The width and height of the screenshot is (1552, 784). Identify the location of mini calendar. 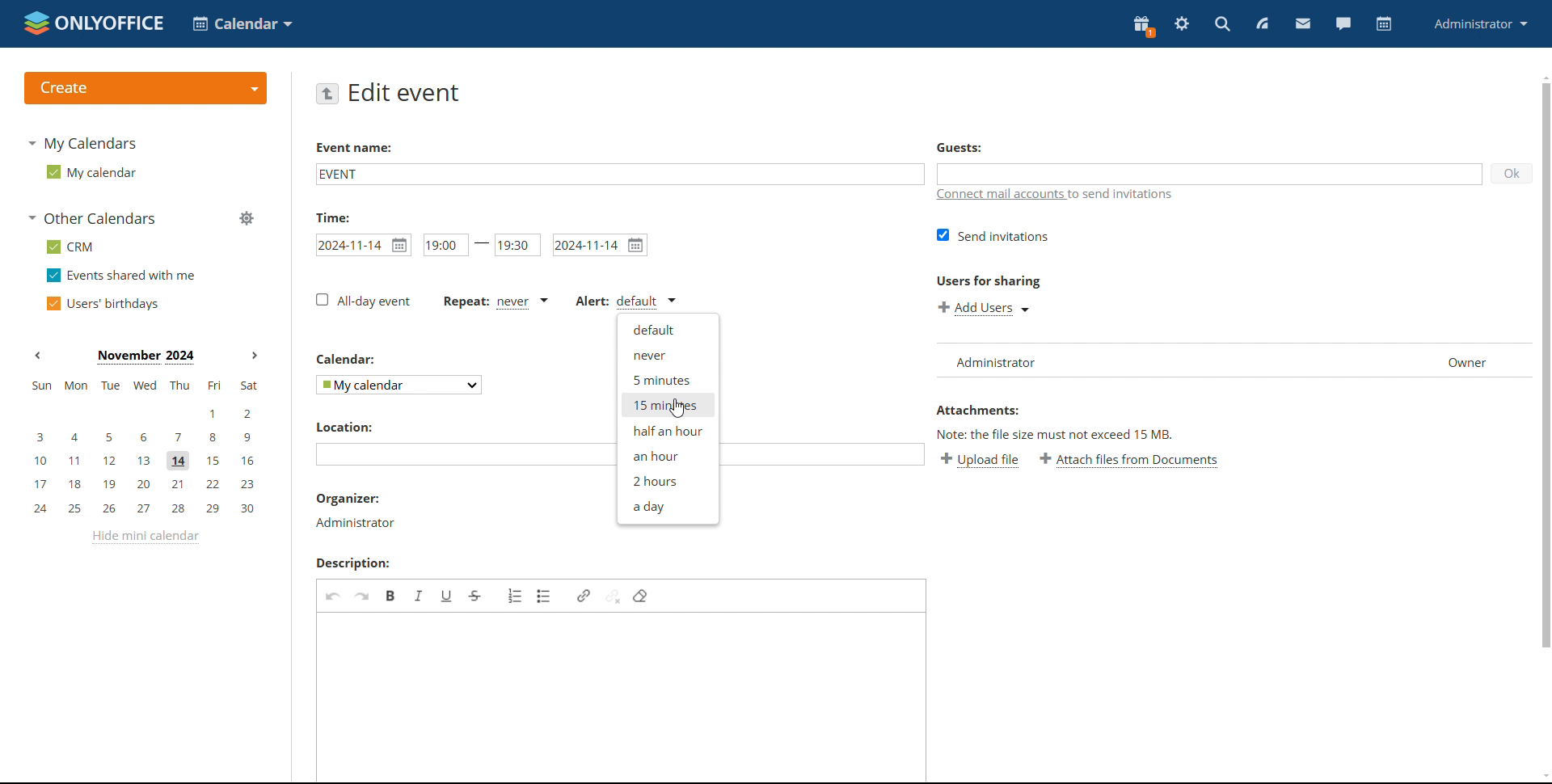
(145, 448).